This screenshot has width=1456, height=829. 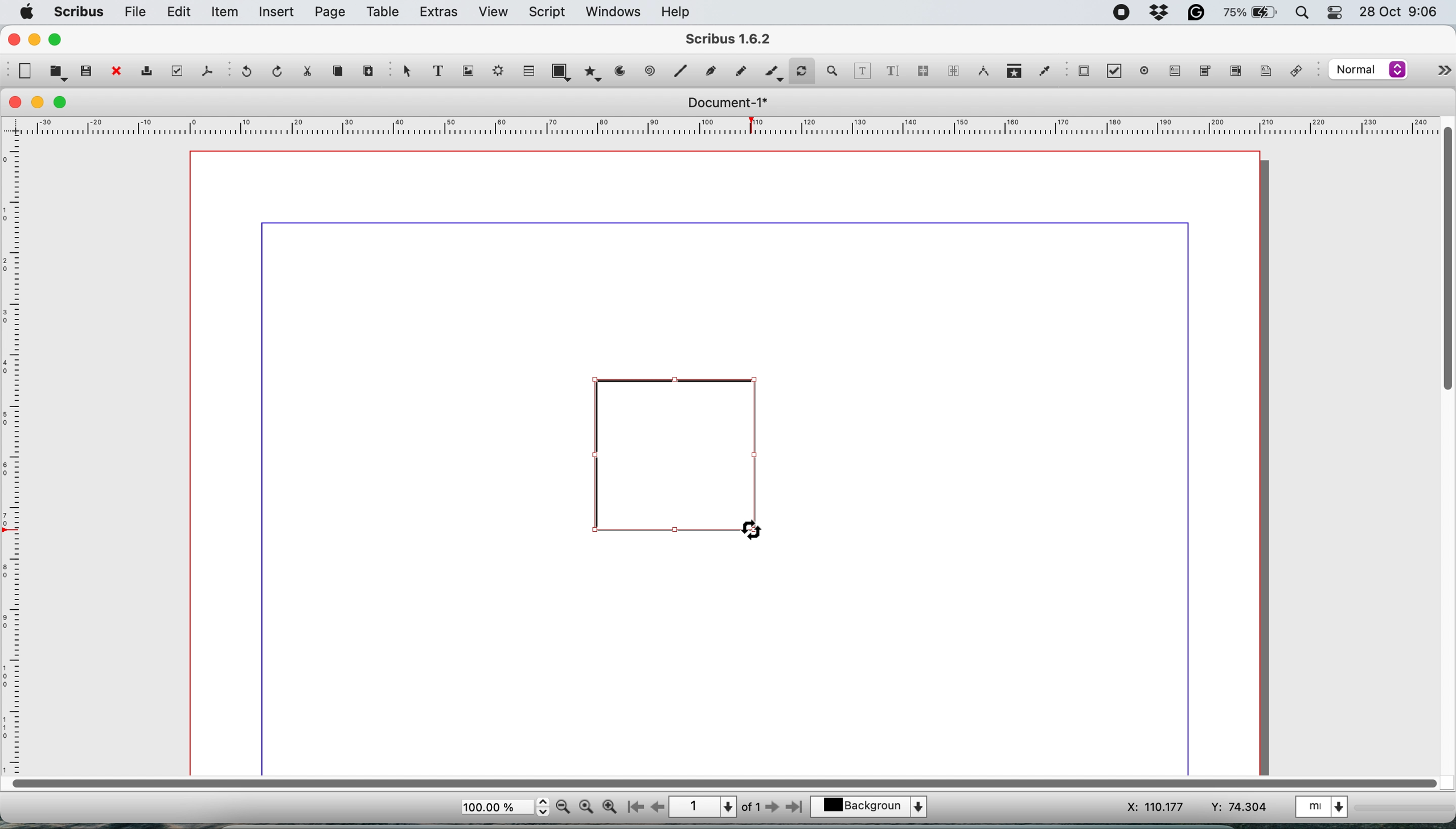 What do you see at coordinates (1368, 71) in the screenshot?
I see `image quality` at bounding box center [1368, 71].